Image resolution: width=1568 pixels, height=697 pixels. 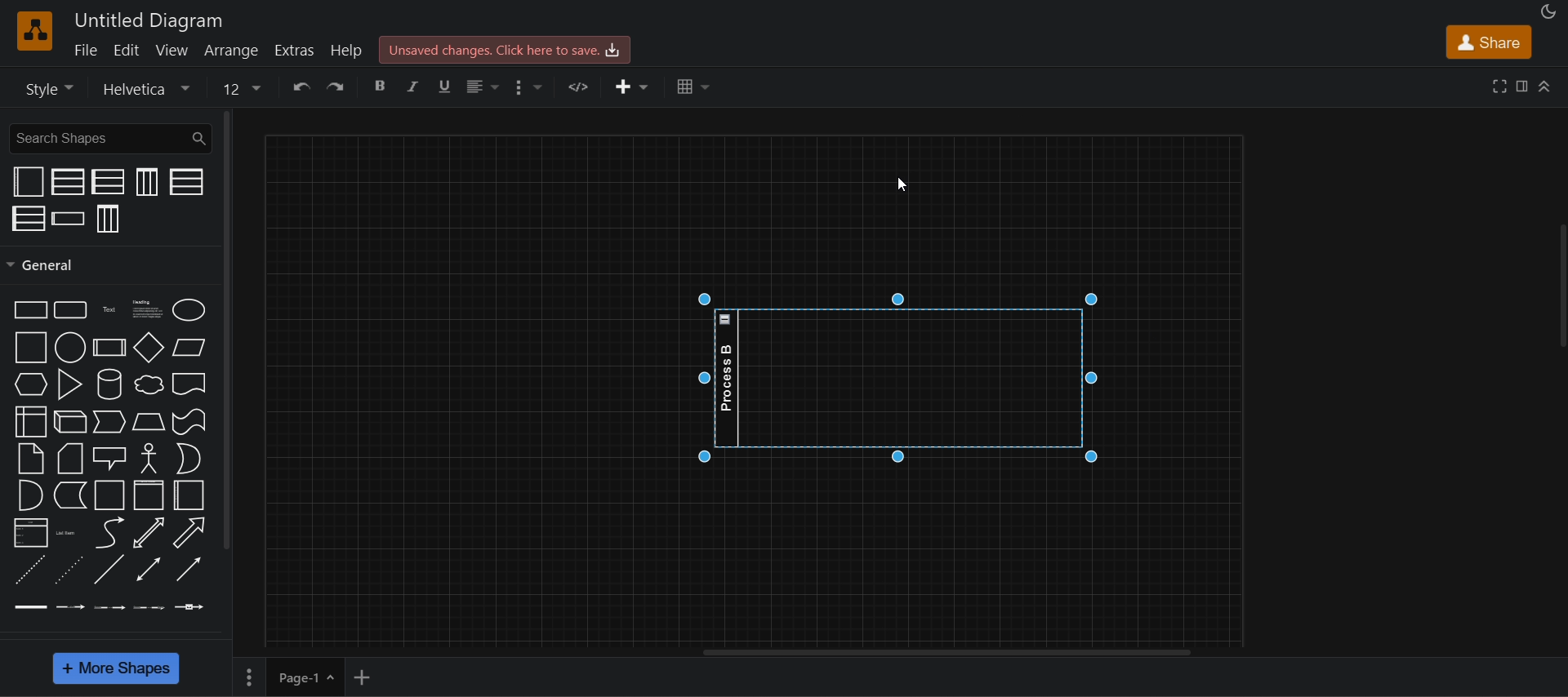 What do you see at coordinates (31, 384) in the screenshot?
I see `hexagon` at bounding box center [31, 384].